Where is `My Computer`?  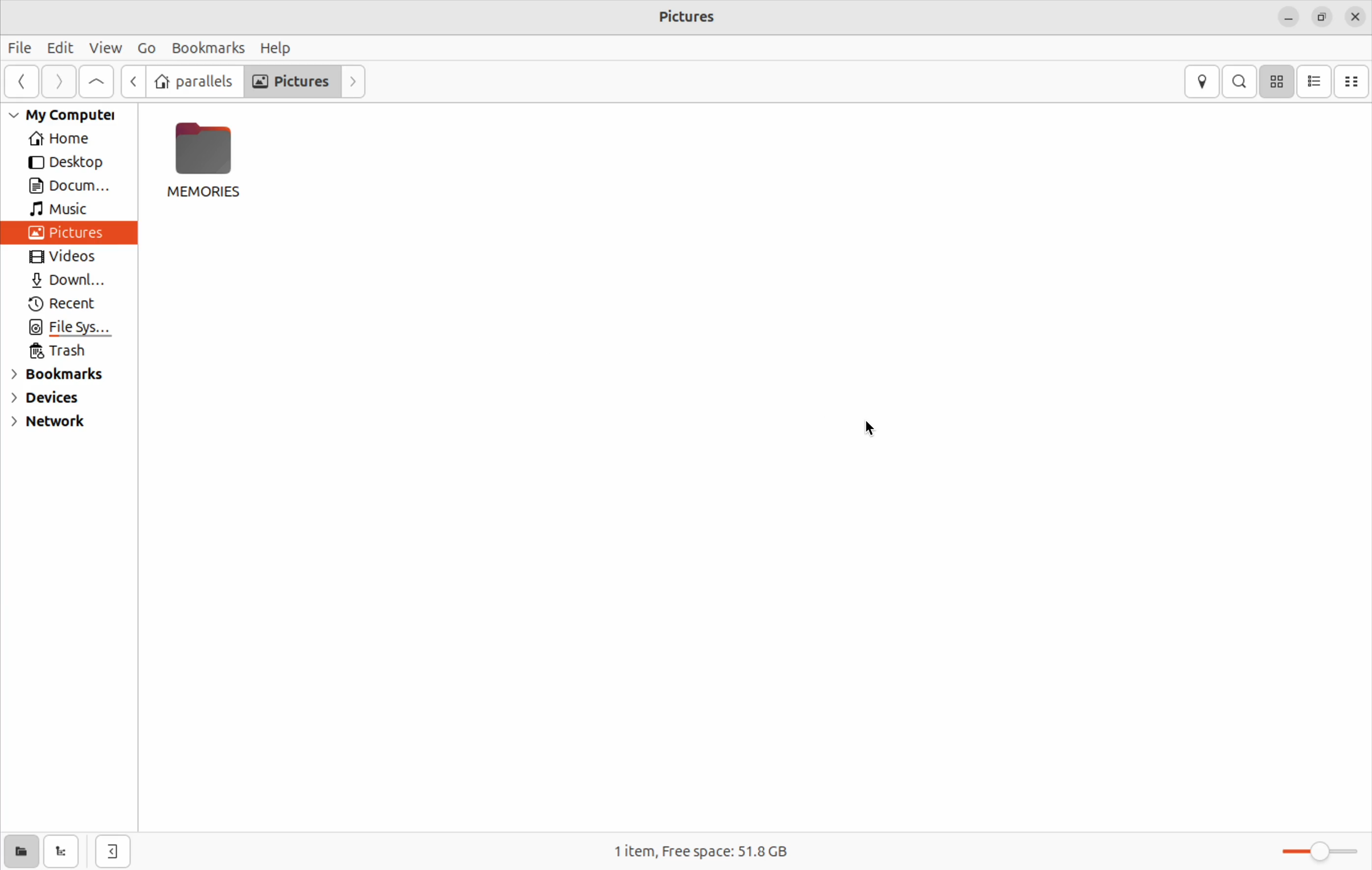 My Computer is located at coordinates (68, 116).